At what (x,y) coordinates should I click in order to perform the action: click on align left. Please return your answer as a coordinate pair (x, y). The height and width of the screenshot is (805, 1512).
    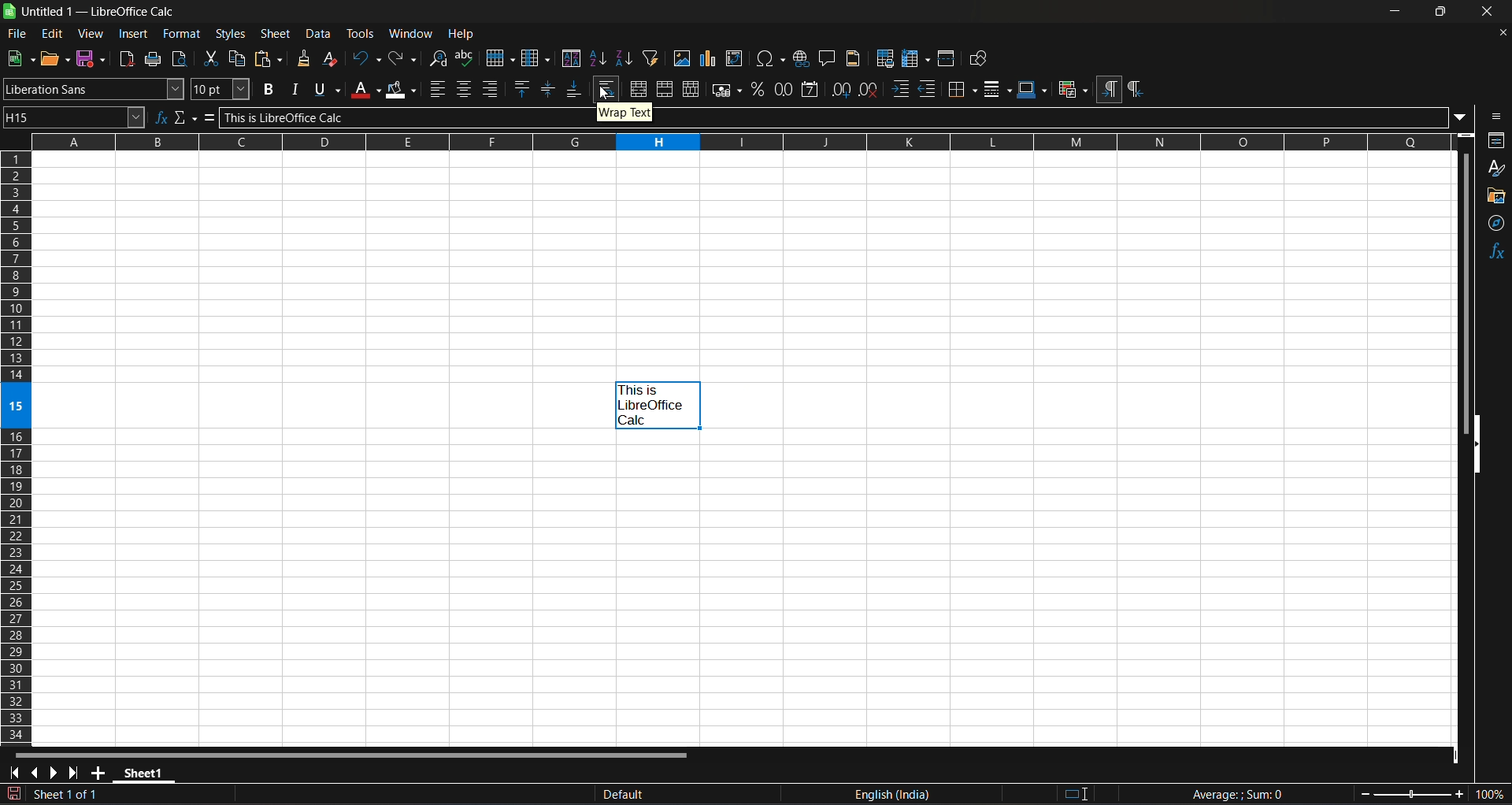
    Looking at the image, I should click on (439, 89).